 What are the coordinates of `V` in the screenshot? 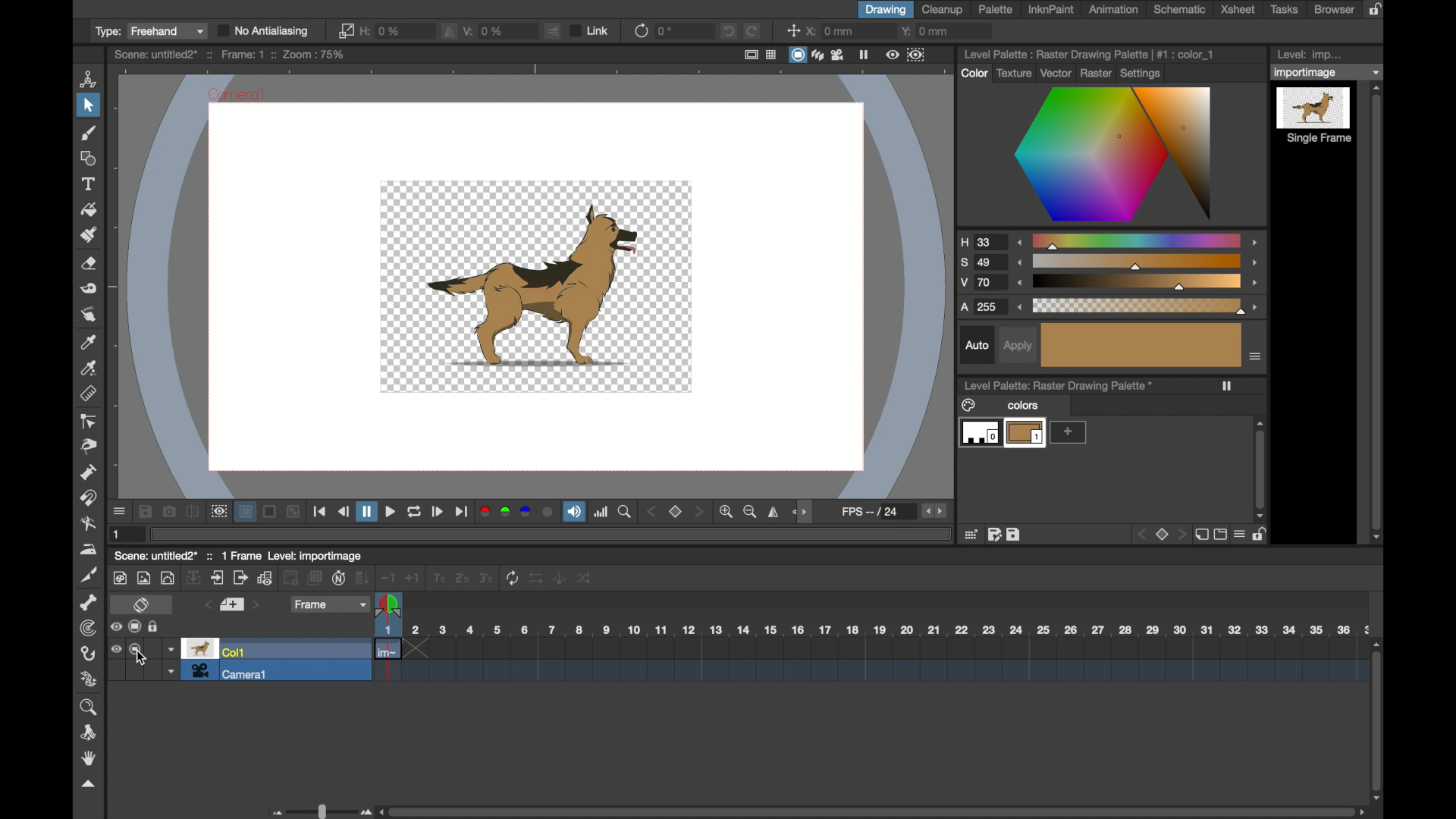 It's located at (981, 284).